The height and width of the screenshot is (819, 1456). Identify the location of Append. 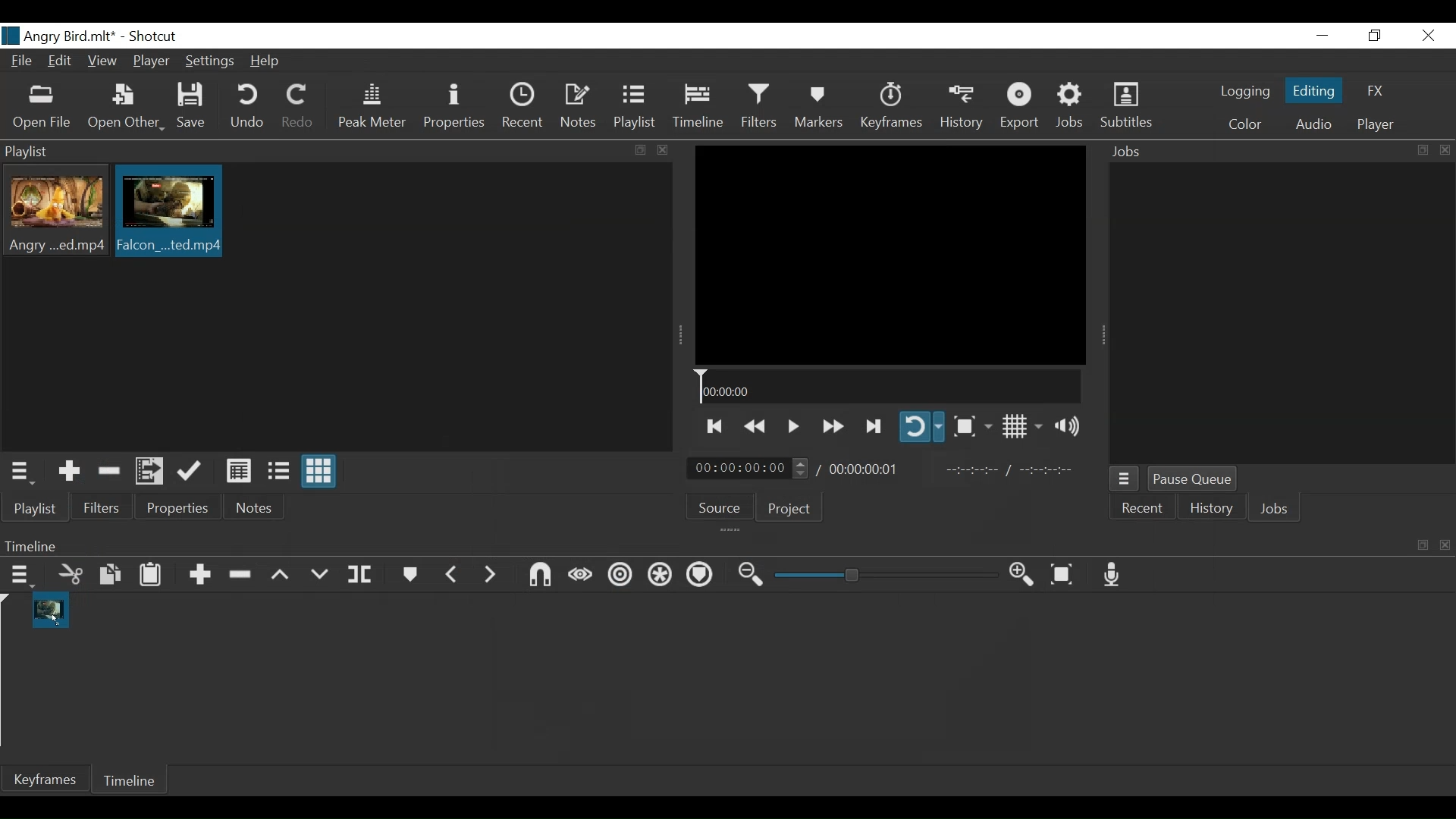
(199, 577).